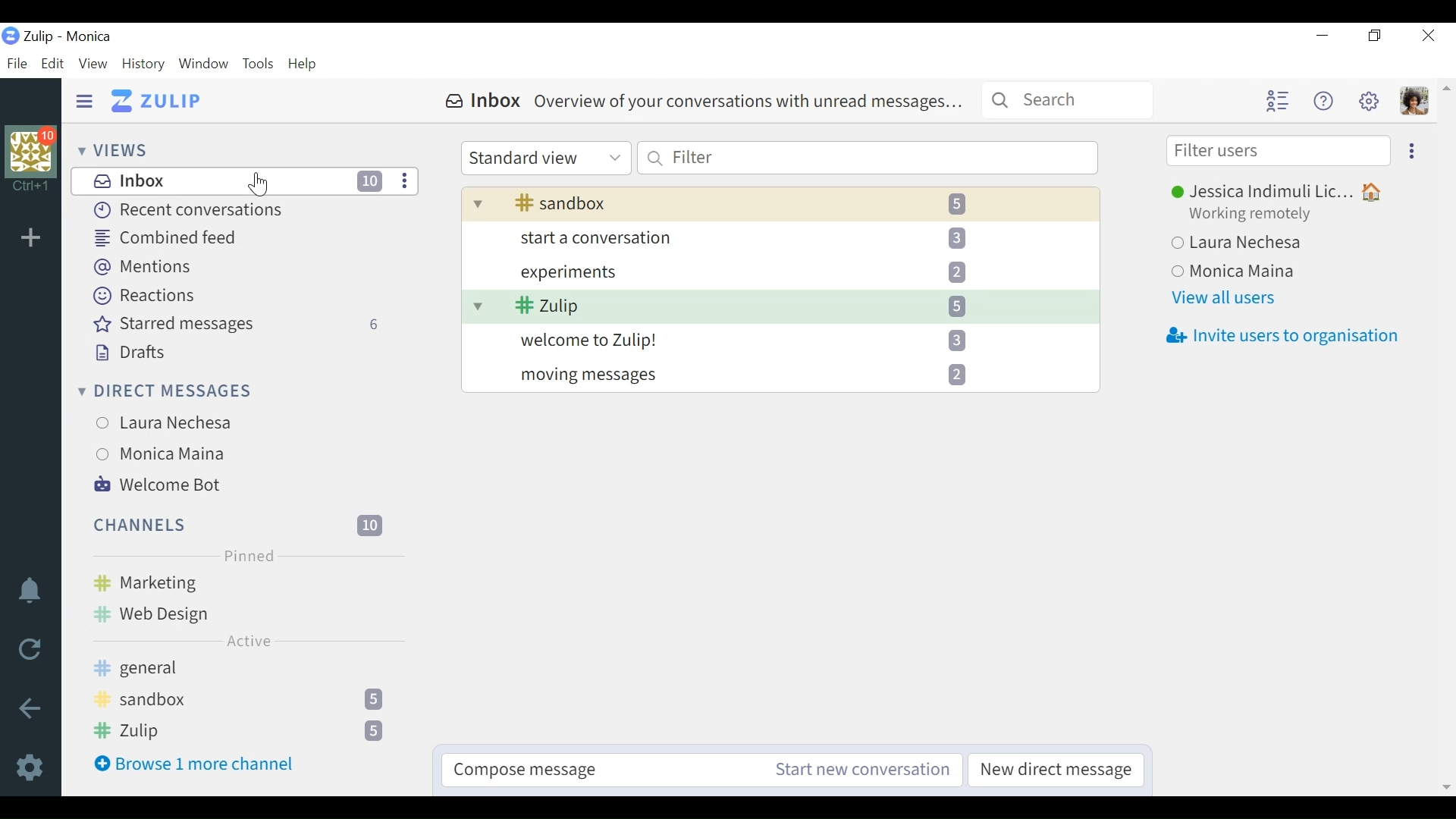 The image size is (1456, 819). I want to click on Overview of your conversation with unread messages, so click(780, 375).